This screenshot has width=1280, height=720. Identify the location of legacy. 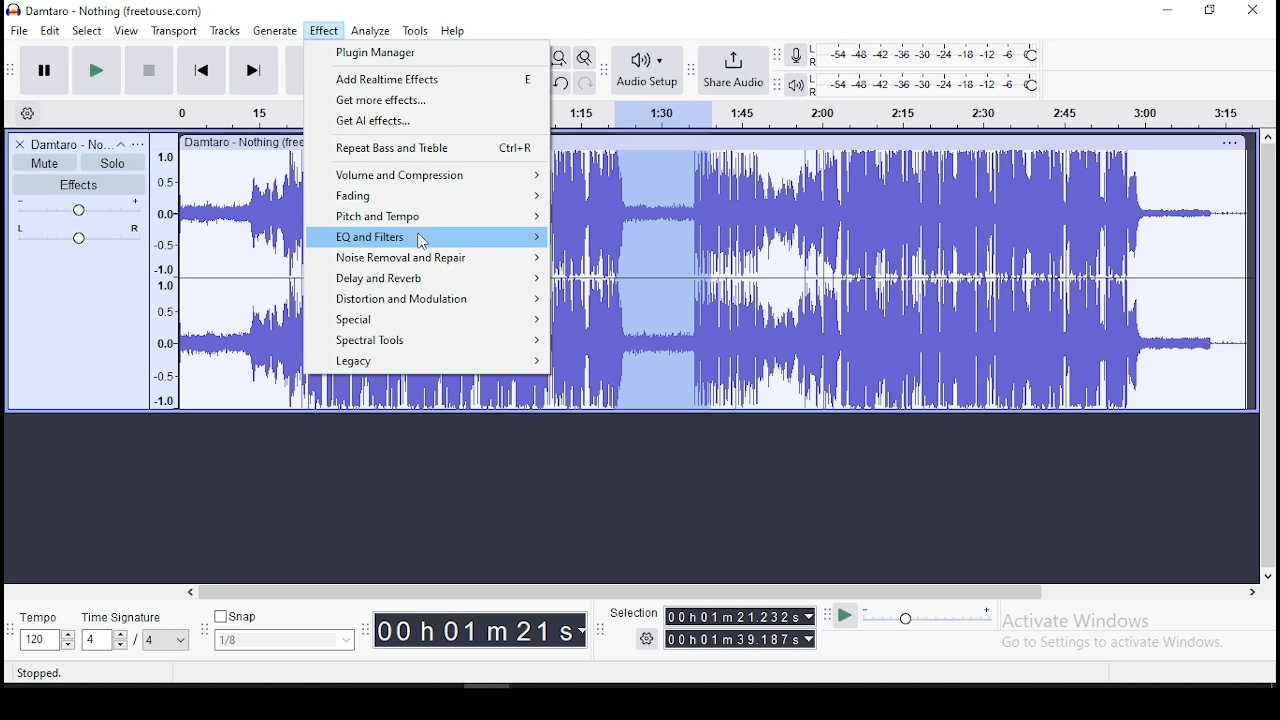
(428, 363).